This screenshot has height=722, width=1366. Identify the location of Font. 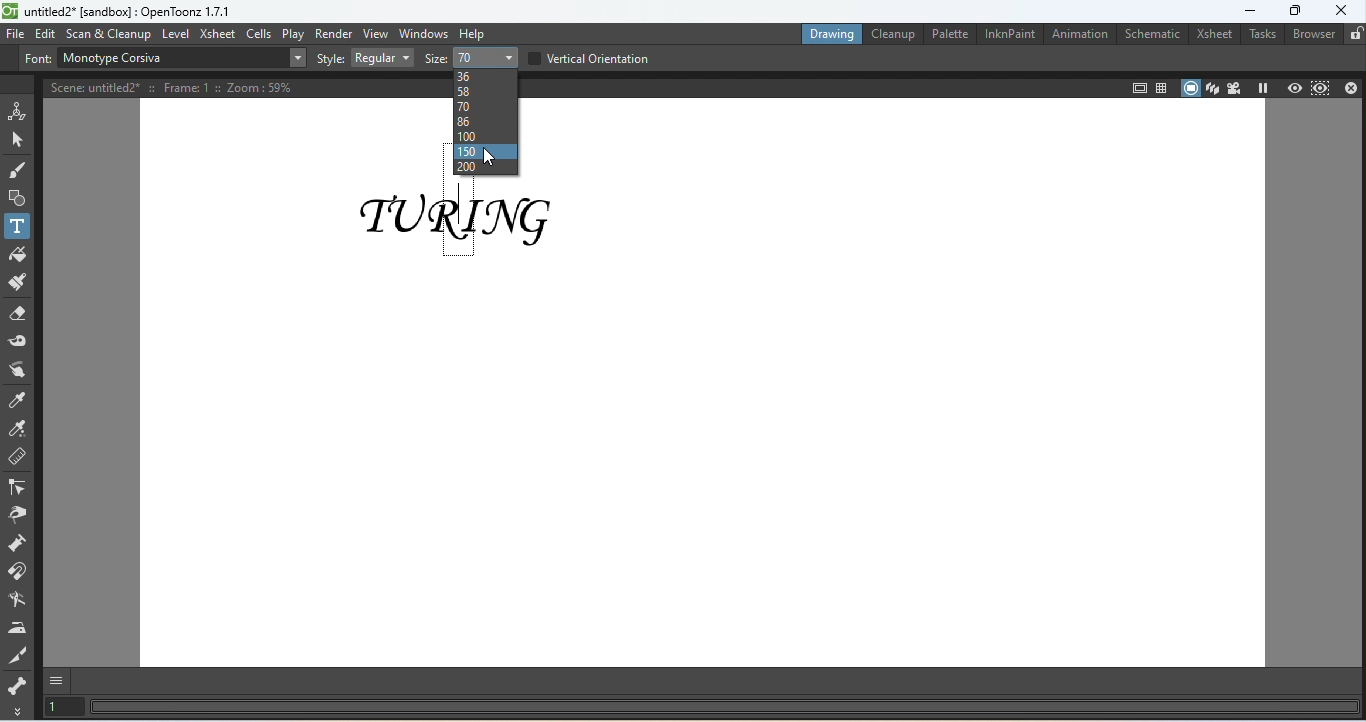
(35, 61).